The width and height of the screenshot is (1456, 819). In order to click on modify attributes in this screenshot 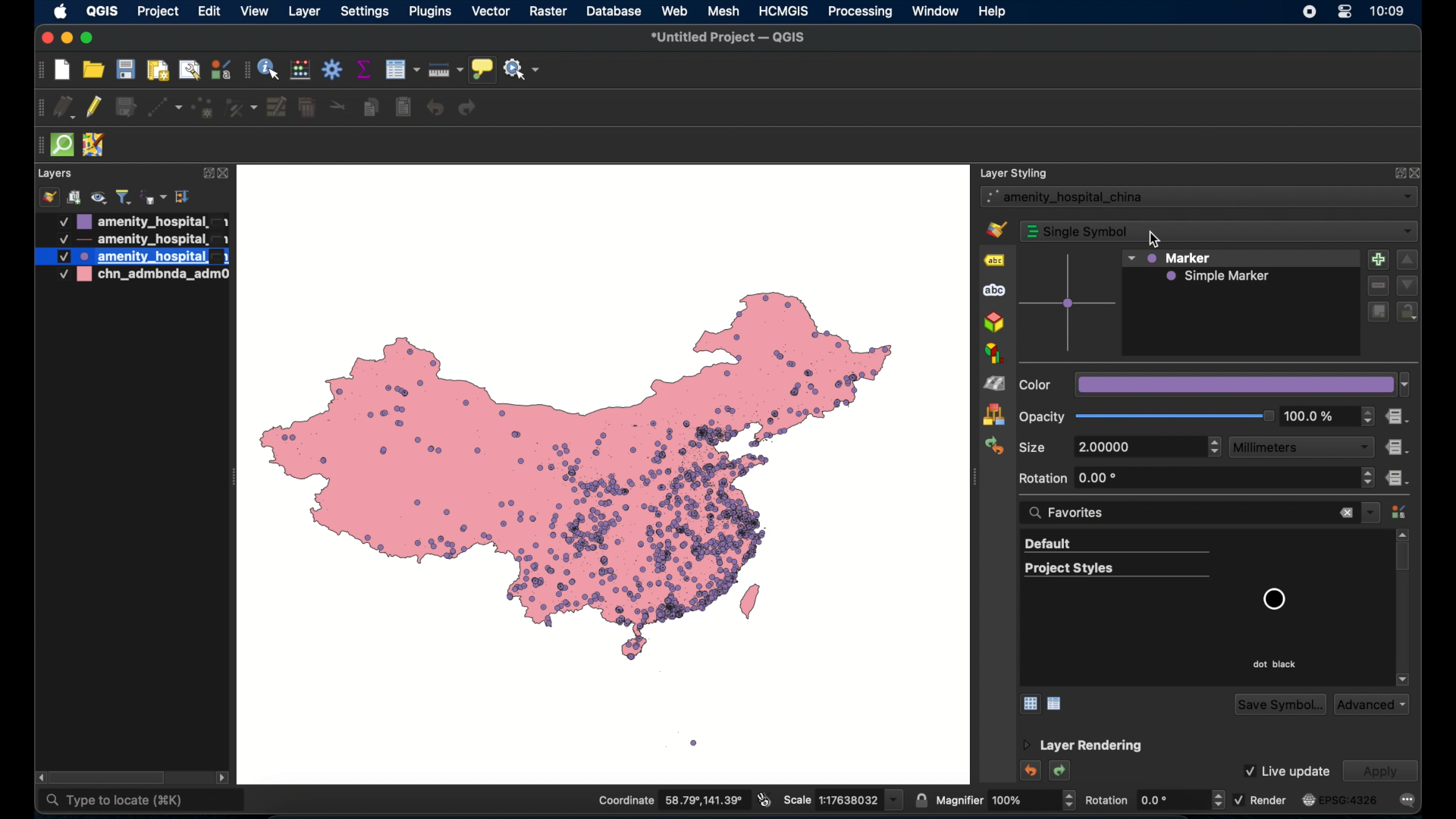, I will do `click(277, 108)`.